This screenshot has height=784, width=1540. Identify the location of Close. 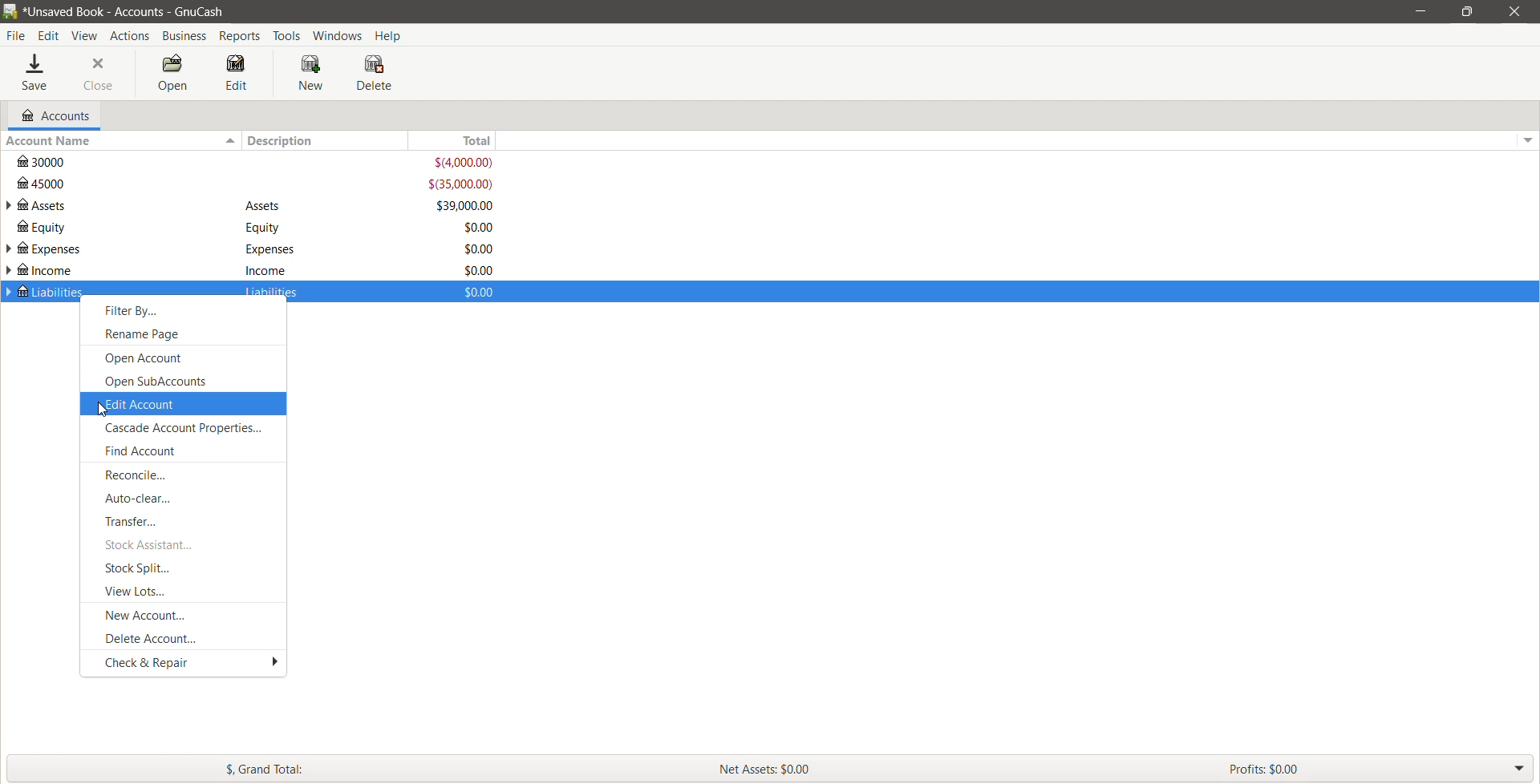
(1512, 11).